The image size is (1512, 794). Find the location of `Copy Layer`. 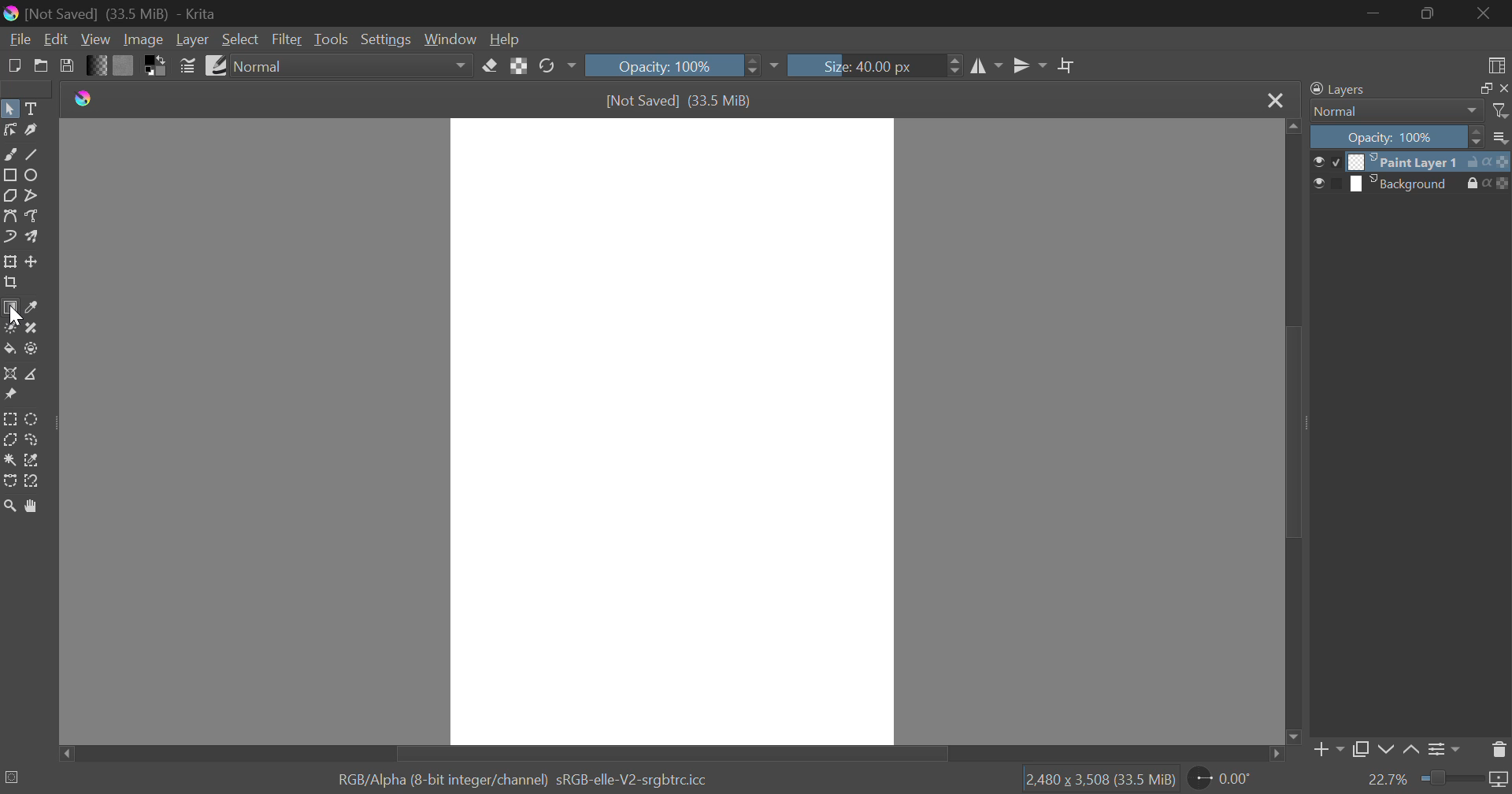

Copy Layer is located at coordinates (1361, 752).